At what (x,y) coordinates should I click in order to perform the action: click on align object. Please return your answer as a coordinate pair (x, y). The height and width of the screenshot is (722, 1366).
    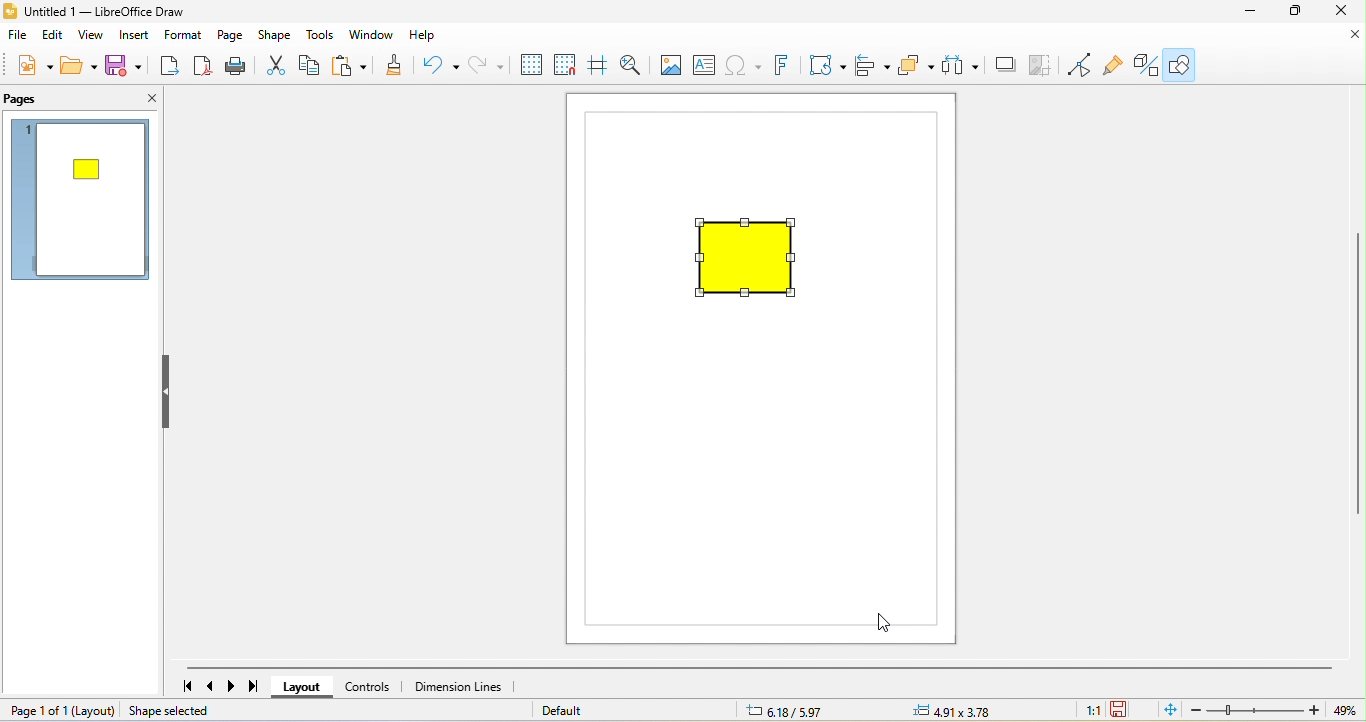
    Looking at the image, I should click on (875, 67).